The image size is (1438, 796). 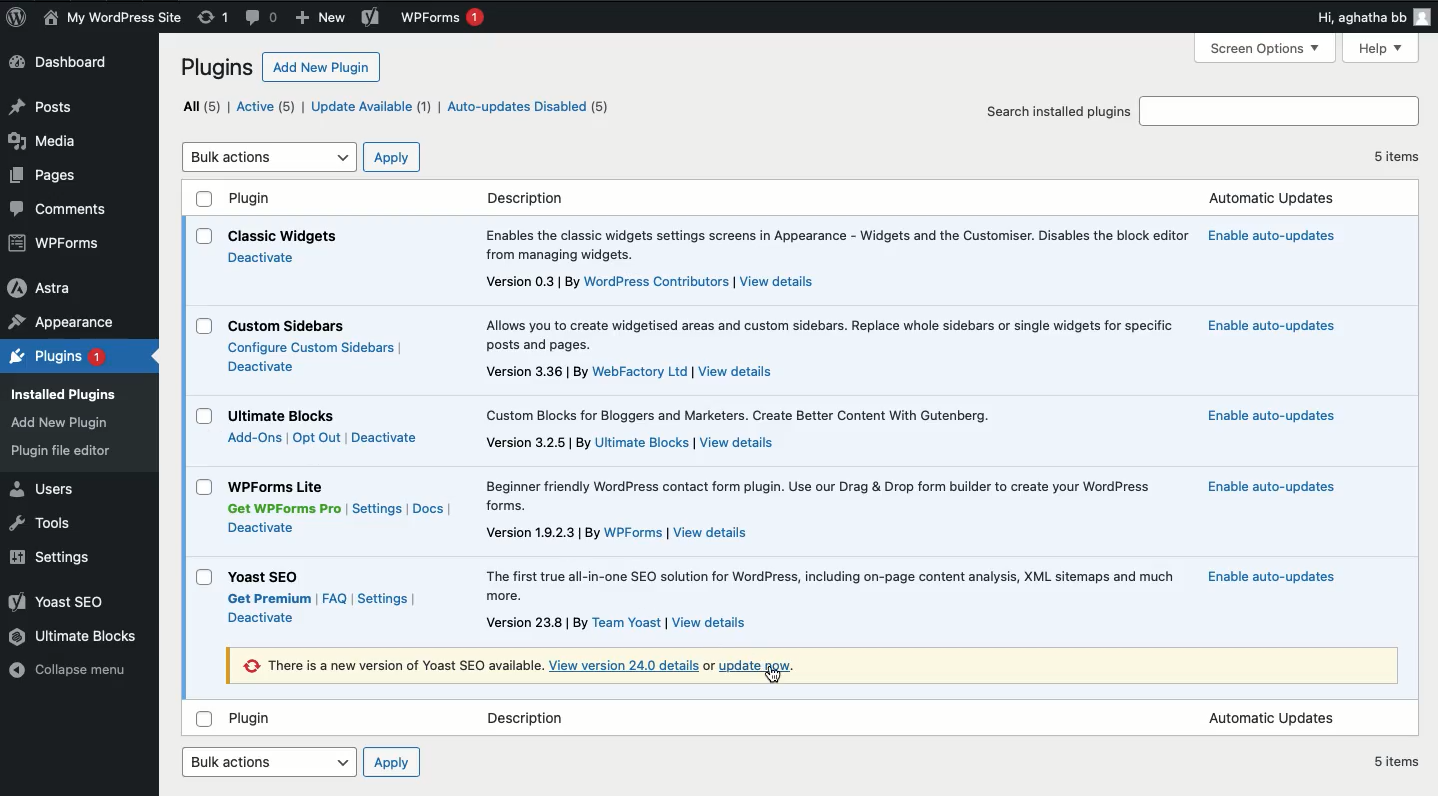 What do you see at coordinates (1269, 47) in the screenshot?
I see `Screen options` at bounding box center [1269, 47].